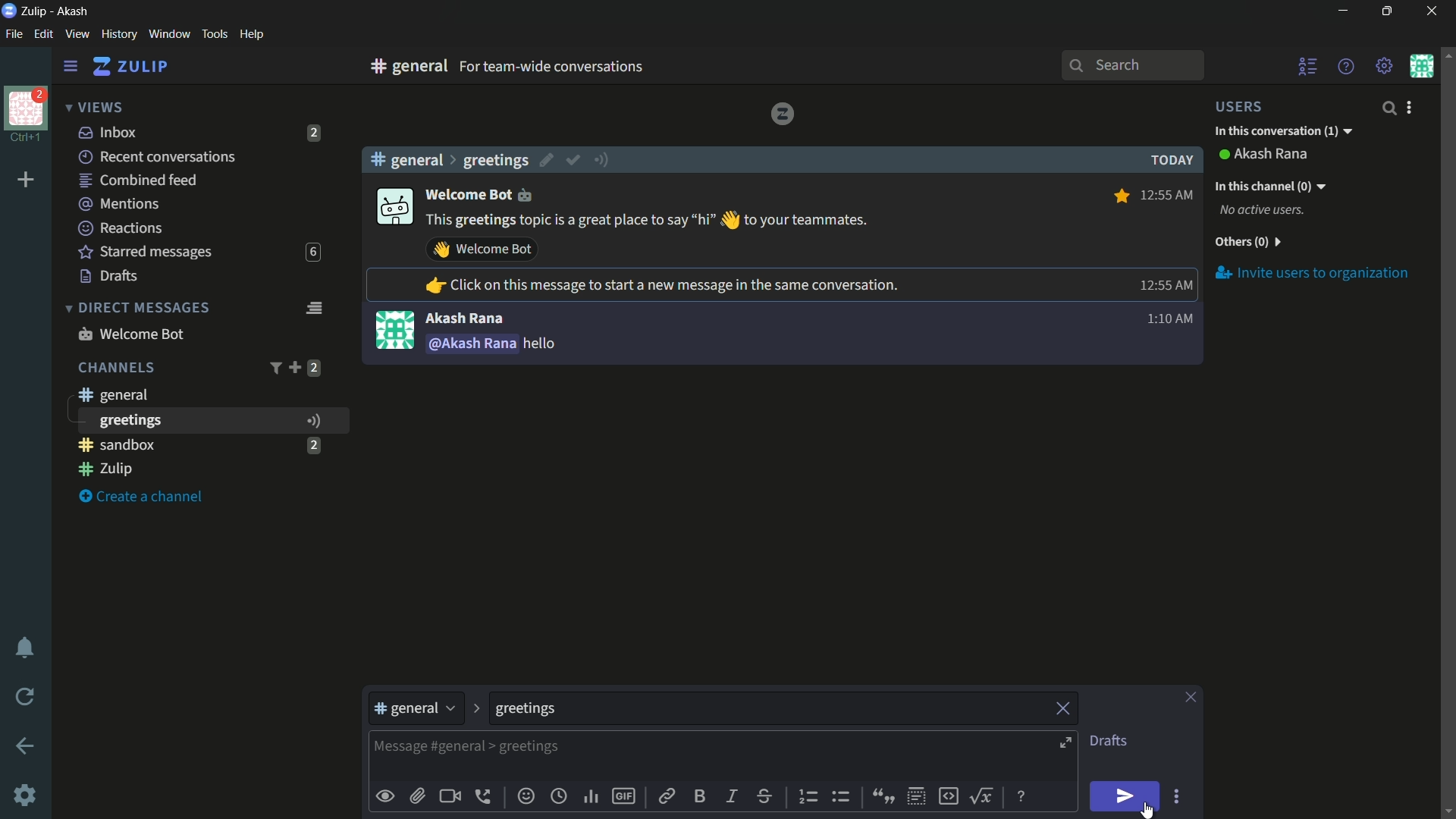 The image size is (1456, 819). What do you see at coordinates (1269, 186) in the screenshot?
I see `In this channel (0)` at bounding box center [1269, 186].